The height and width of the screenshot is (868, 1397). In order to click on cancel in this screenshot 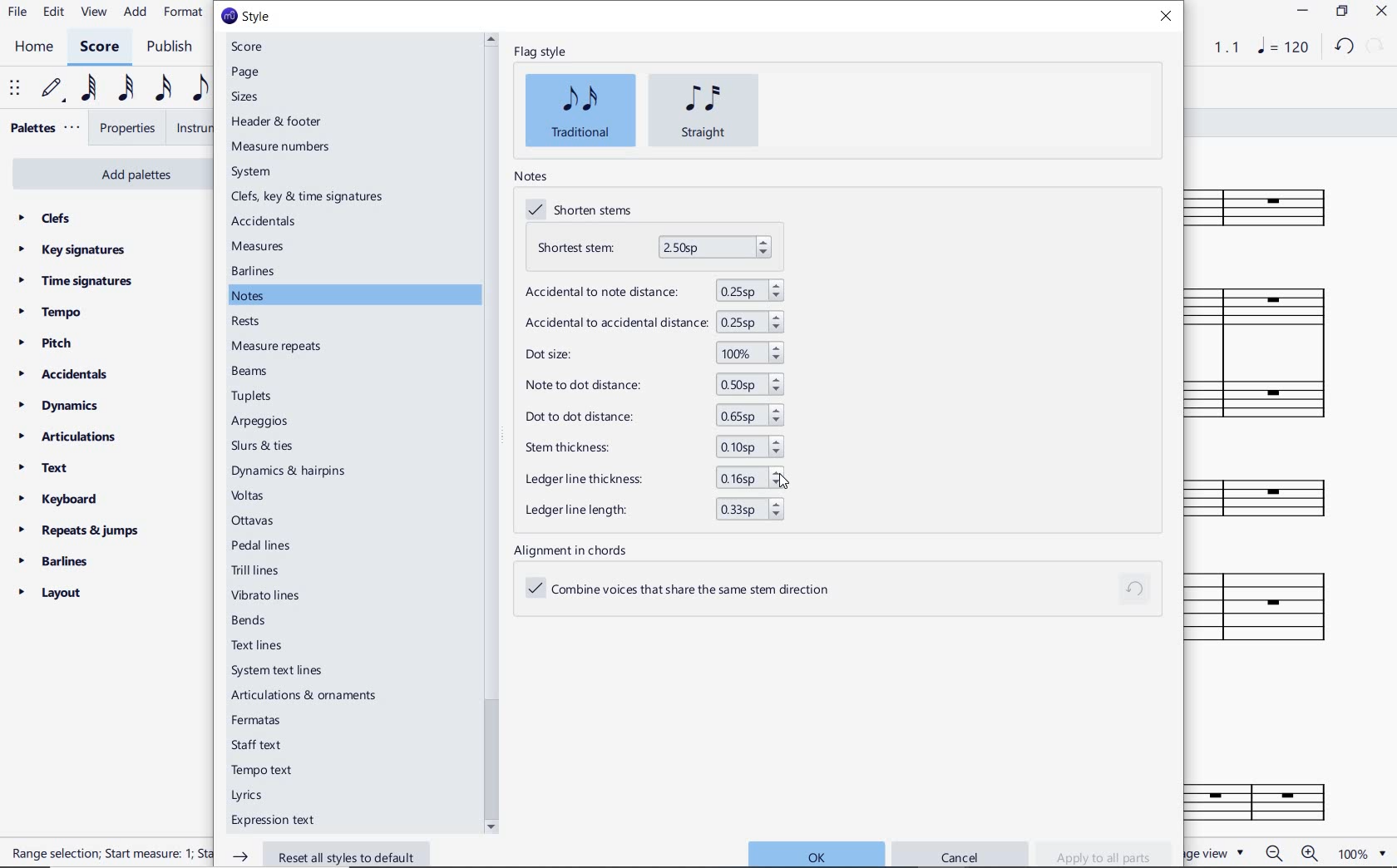, I will do `click(960, 856)`.